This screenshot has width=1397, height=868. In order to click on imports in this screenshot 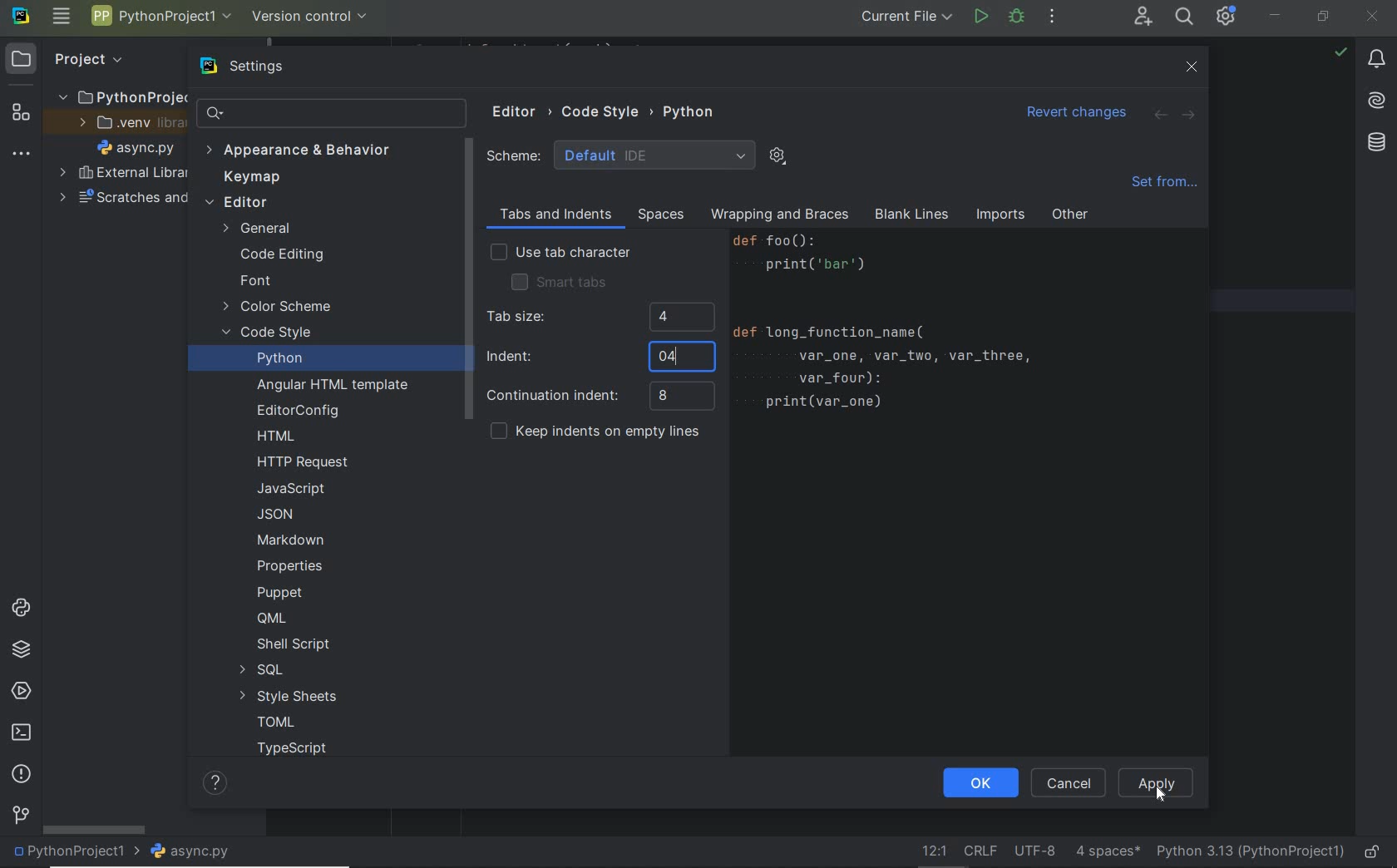, I will do `click(1000, 216)`.